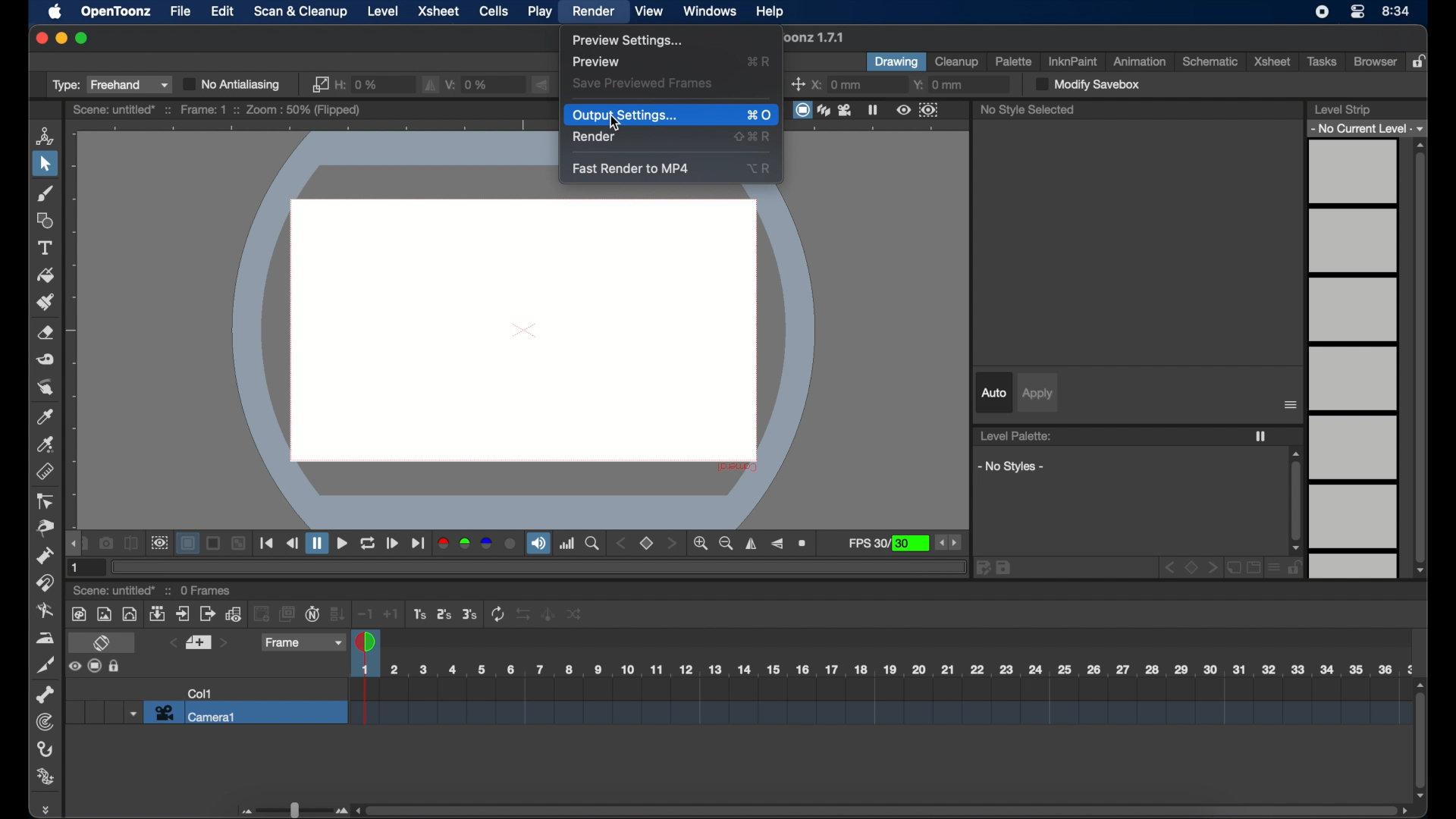 This screenshot has width=1456, height=819. I want to click on levels, so click(1354, 359).